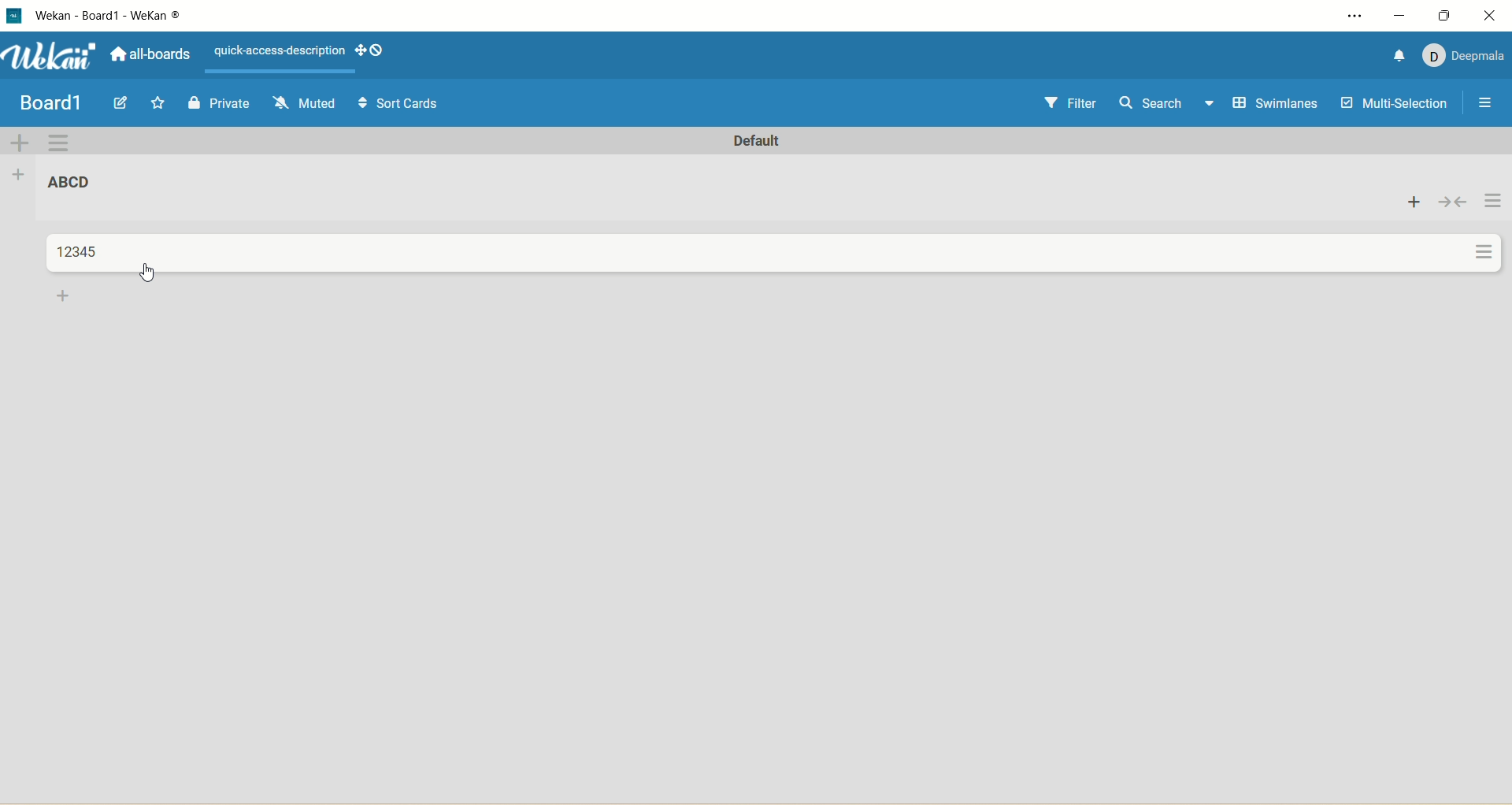 This screenshot has width=1512, height=805. Describe the element at coordinates (280, 51) in the screenshot. I see `text` at that location.